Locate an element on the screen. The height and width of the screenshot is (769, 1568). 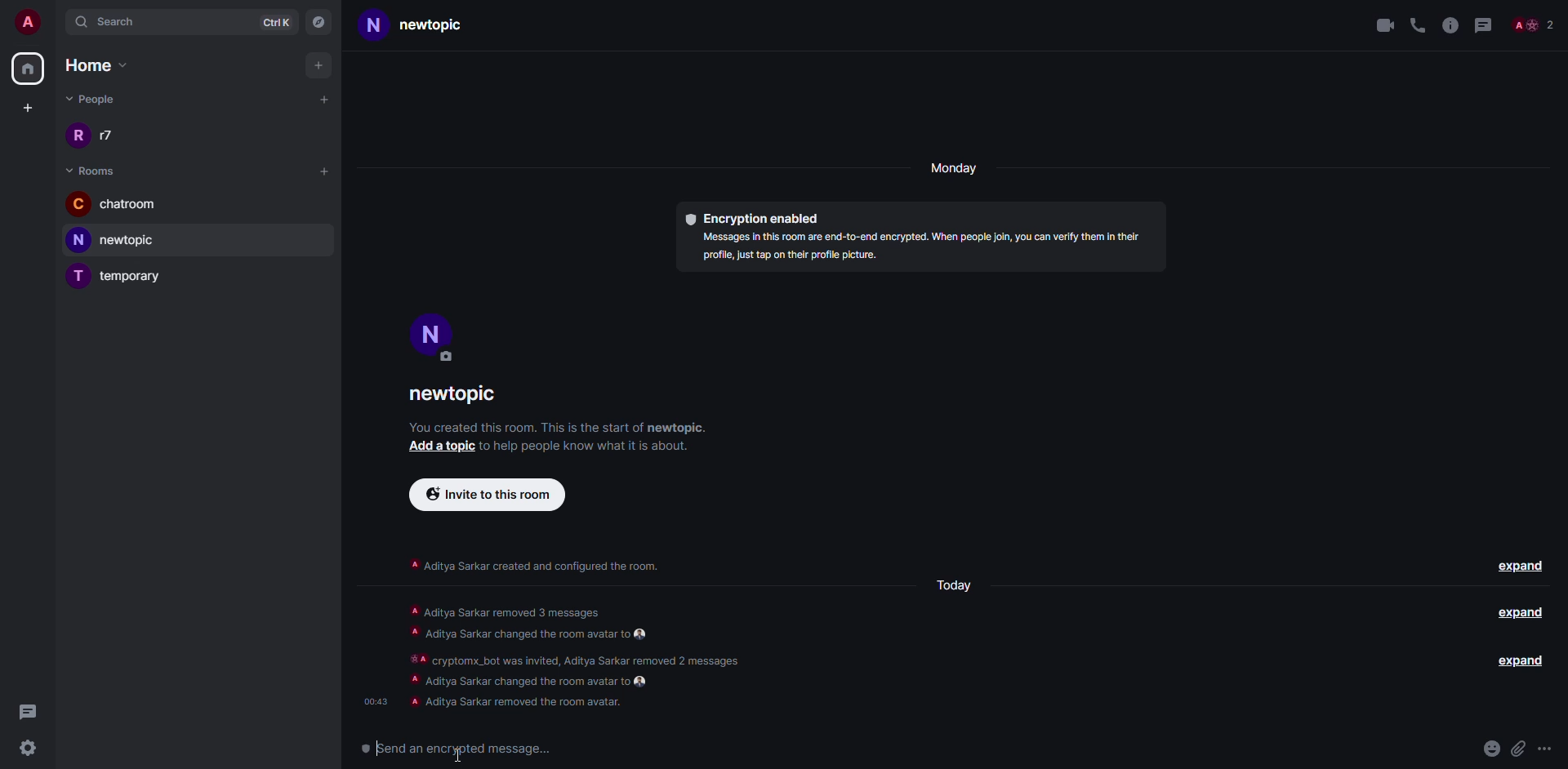
home is located at coordinates (106, 65).